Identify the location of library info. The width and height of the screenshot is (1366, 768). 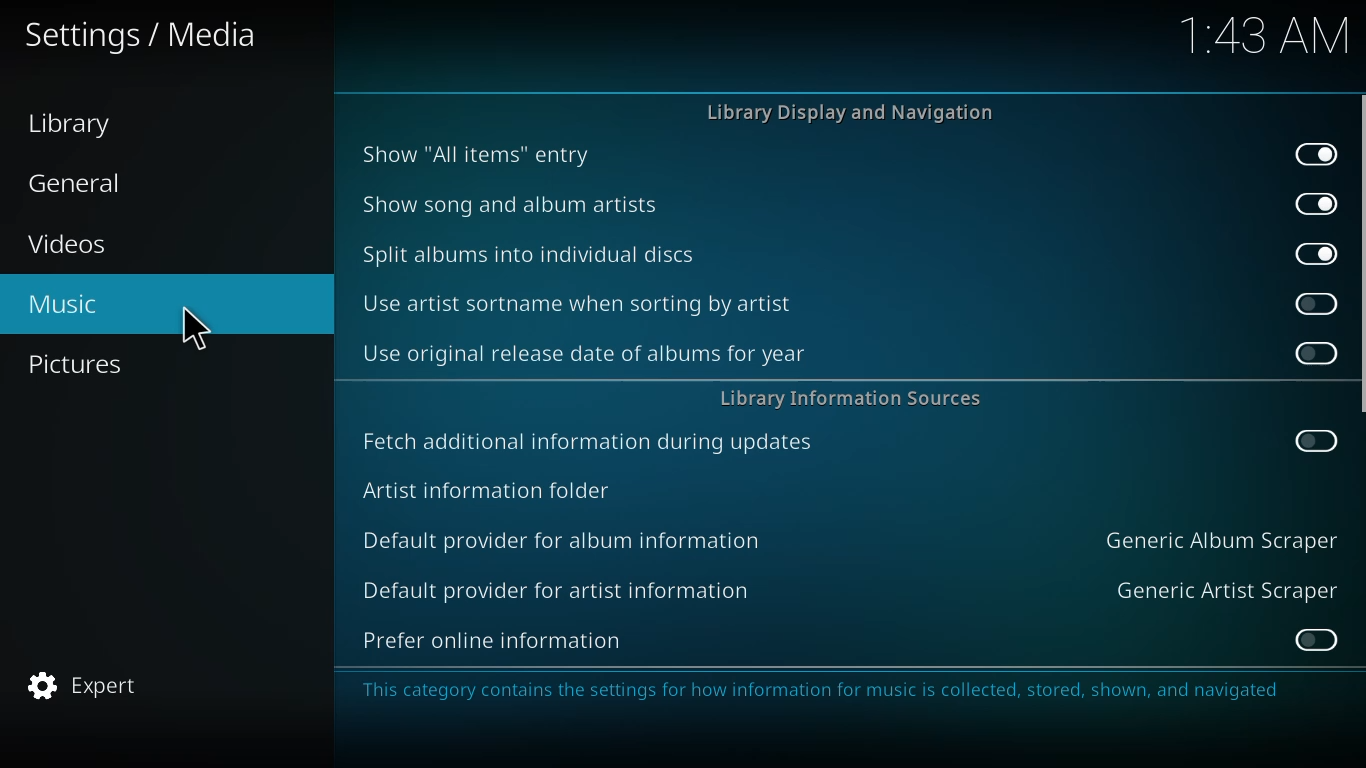
(851, 398).